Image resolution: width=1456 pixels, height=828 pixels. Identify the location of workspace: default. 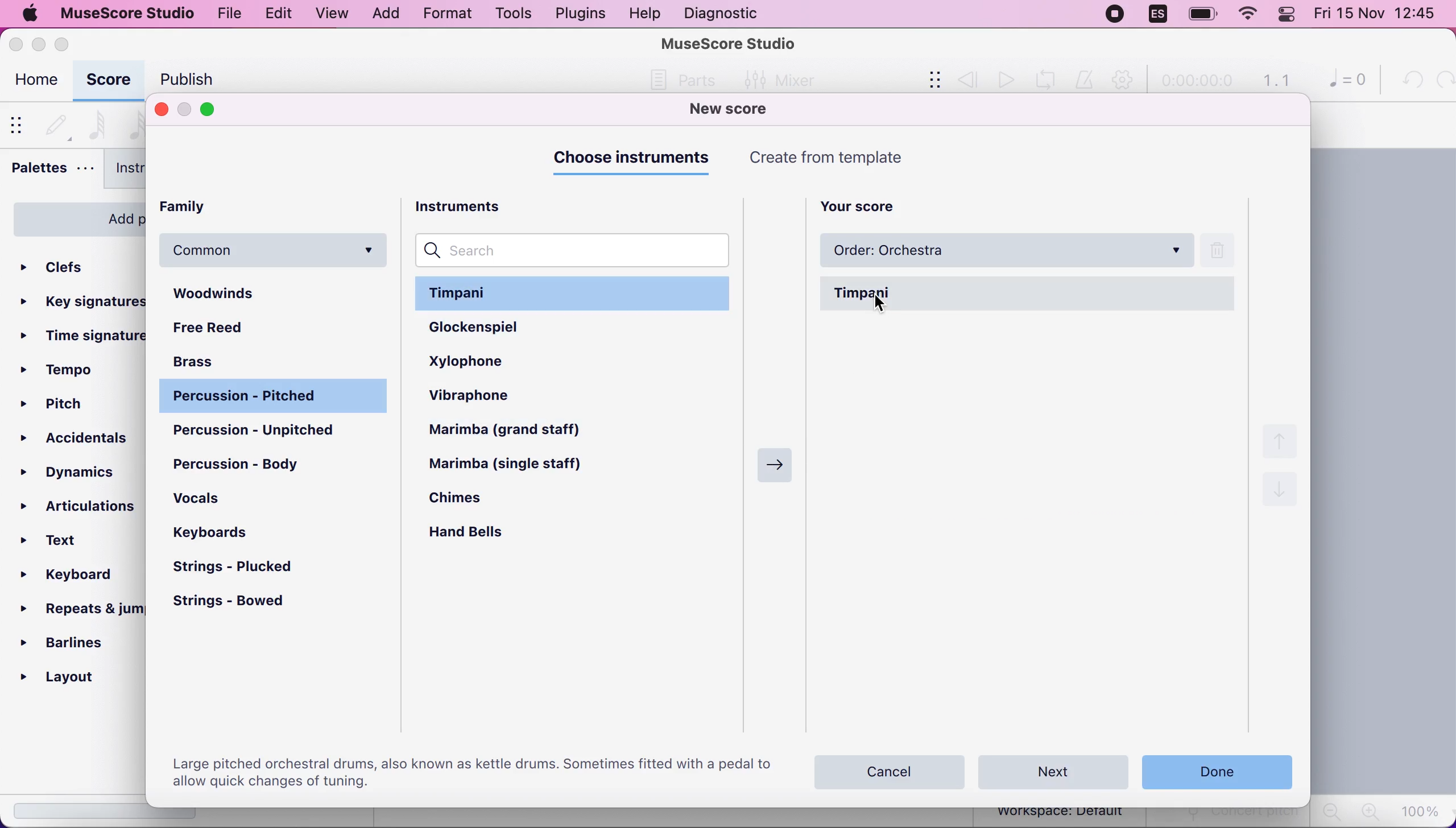
(1064, 814).